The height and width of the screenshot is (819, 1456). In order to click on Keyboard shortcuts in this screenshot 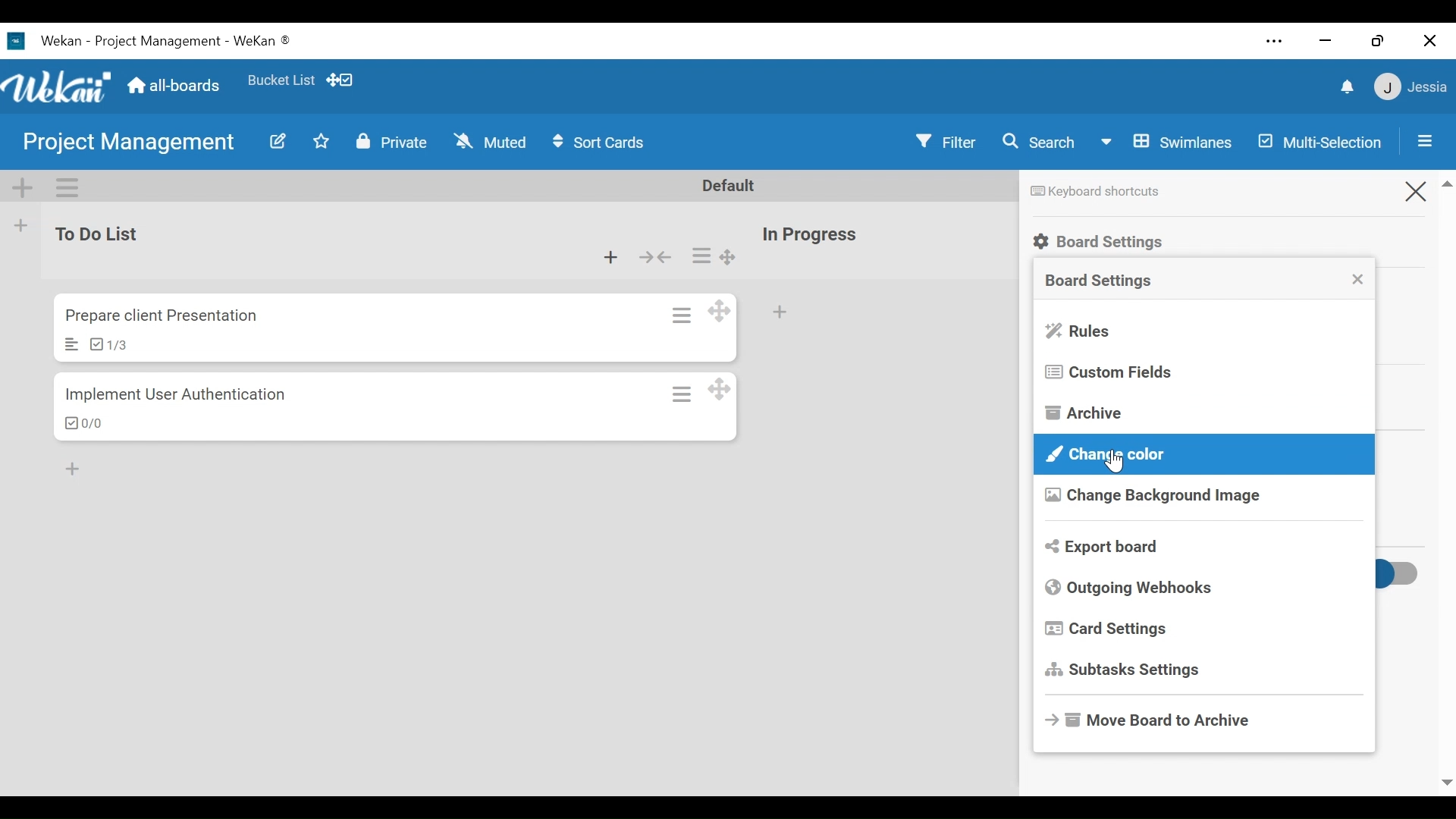, I will do `click(1093, 192)`.